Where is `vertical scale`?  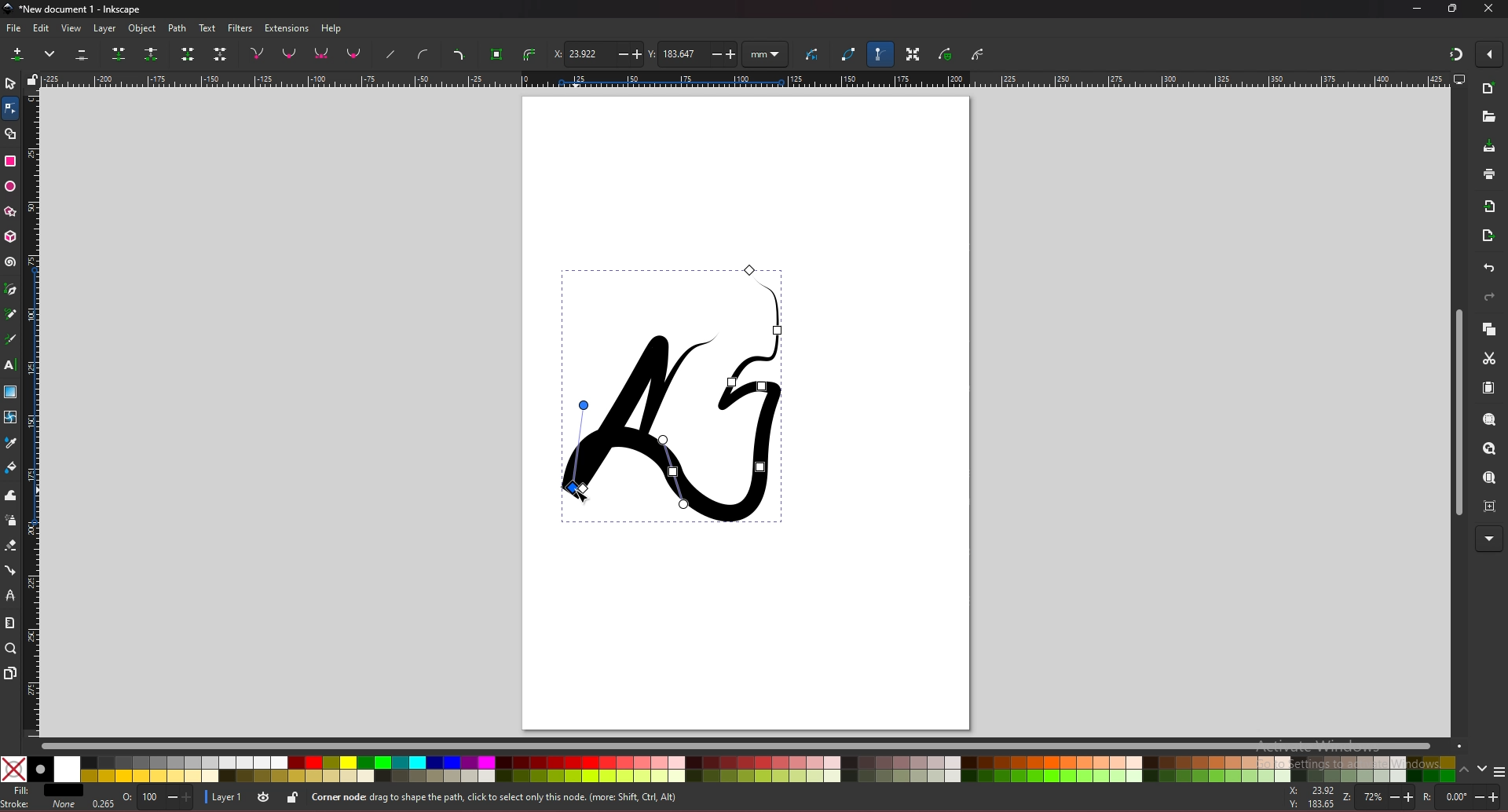
vertical scale is located at coordinates (33, 411).